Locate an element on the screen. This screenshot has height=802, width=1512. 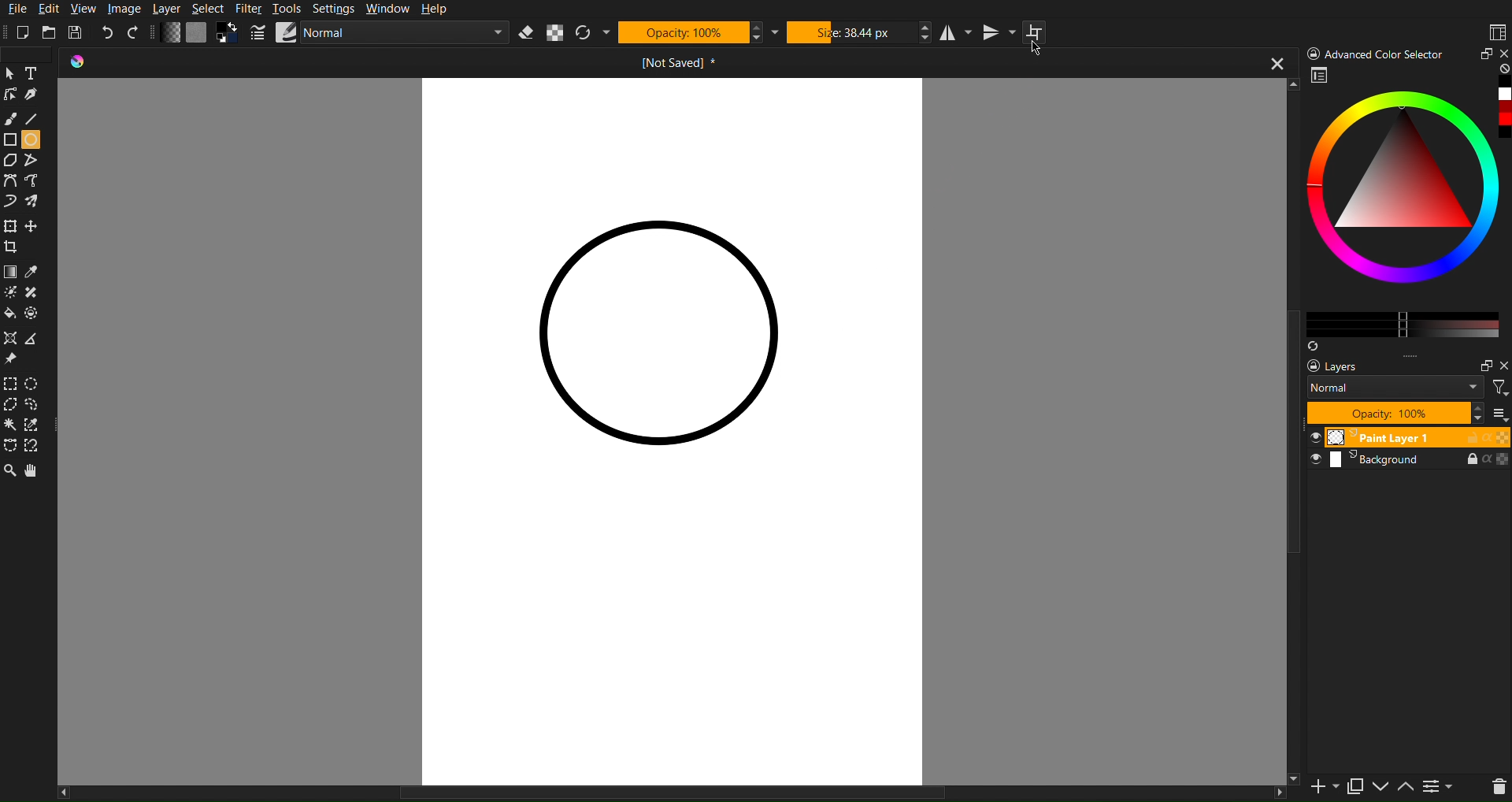
Edit is located at coordinates (52, 9).